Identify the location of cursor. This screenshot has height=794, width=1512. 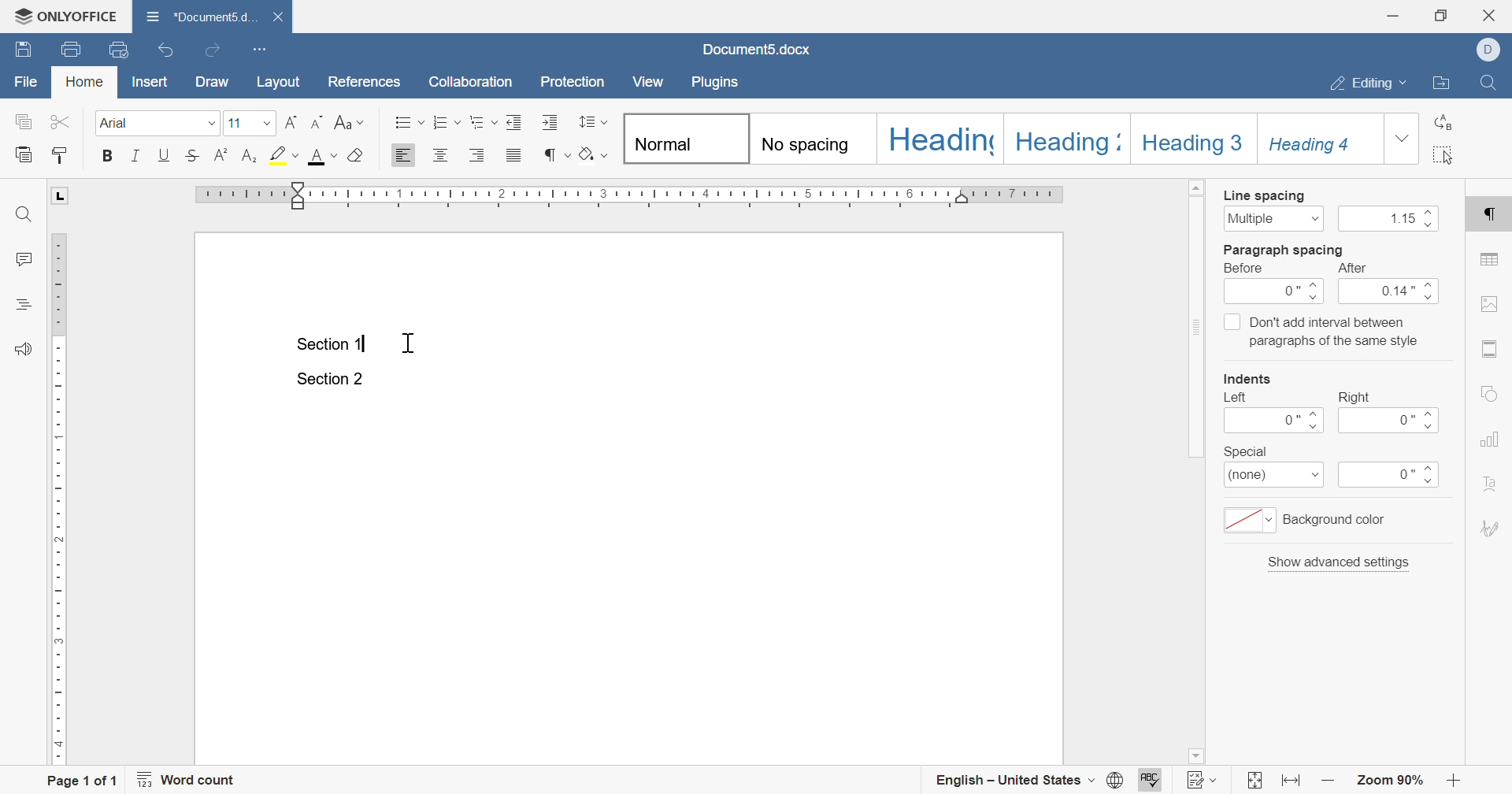
(410, 343).